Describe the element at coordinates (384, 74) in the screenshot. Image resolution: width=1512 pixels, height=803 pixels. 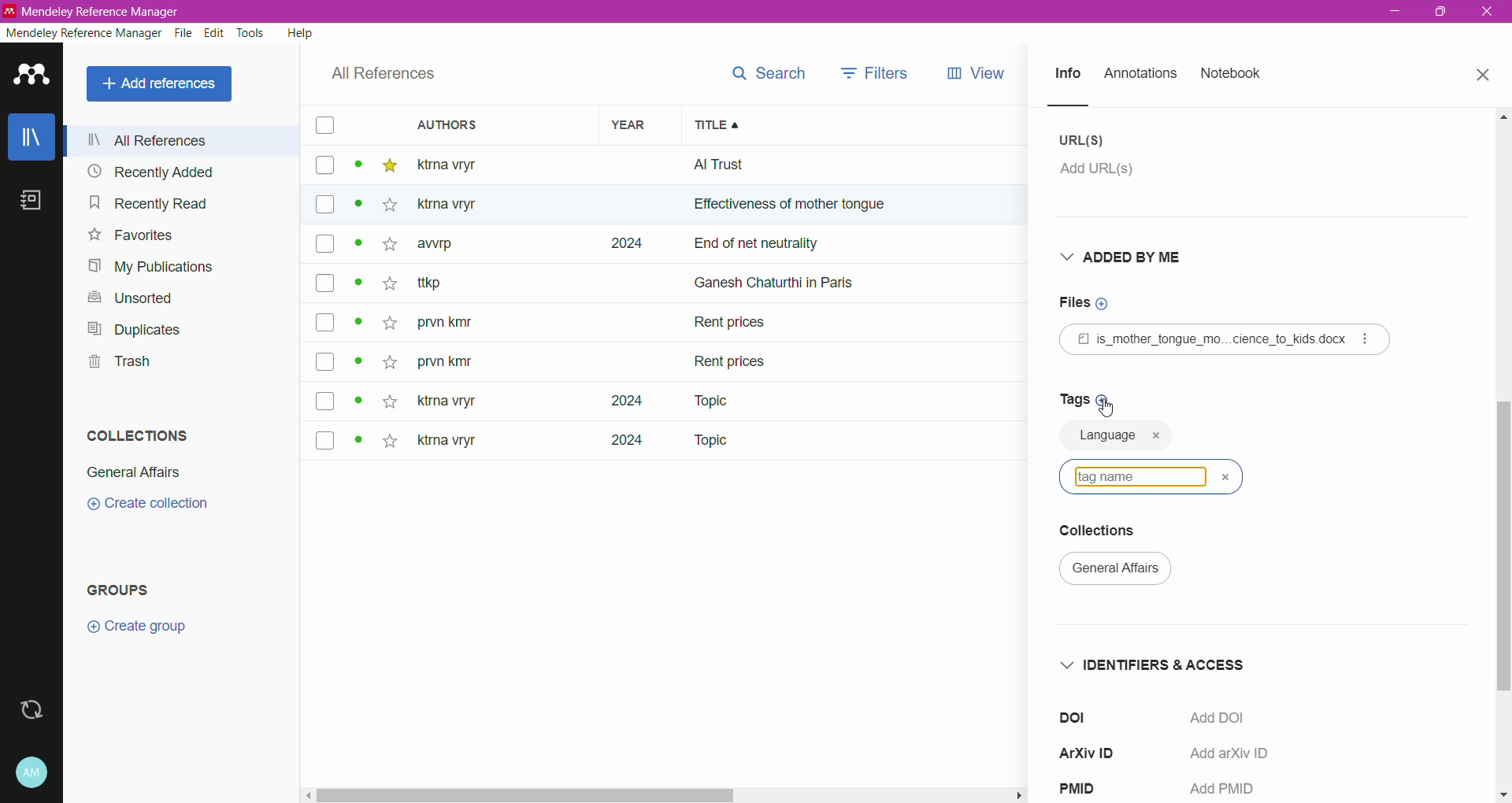
I see `All References` at that location.